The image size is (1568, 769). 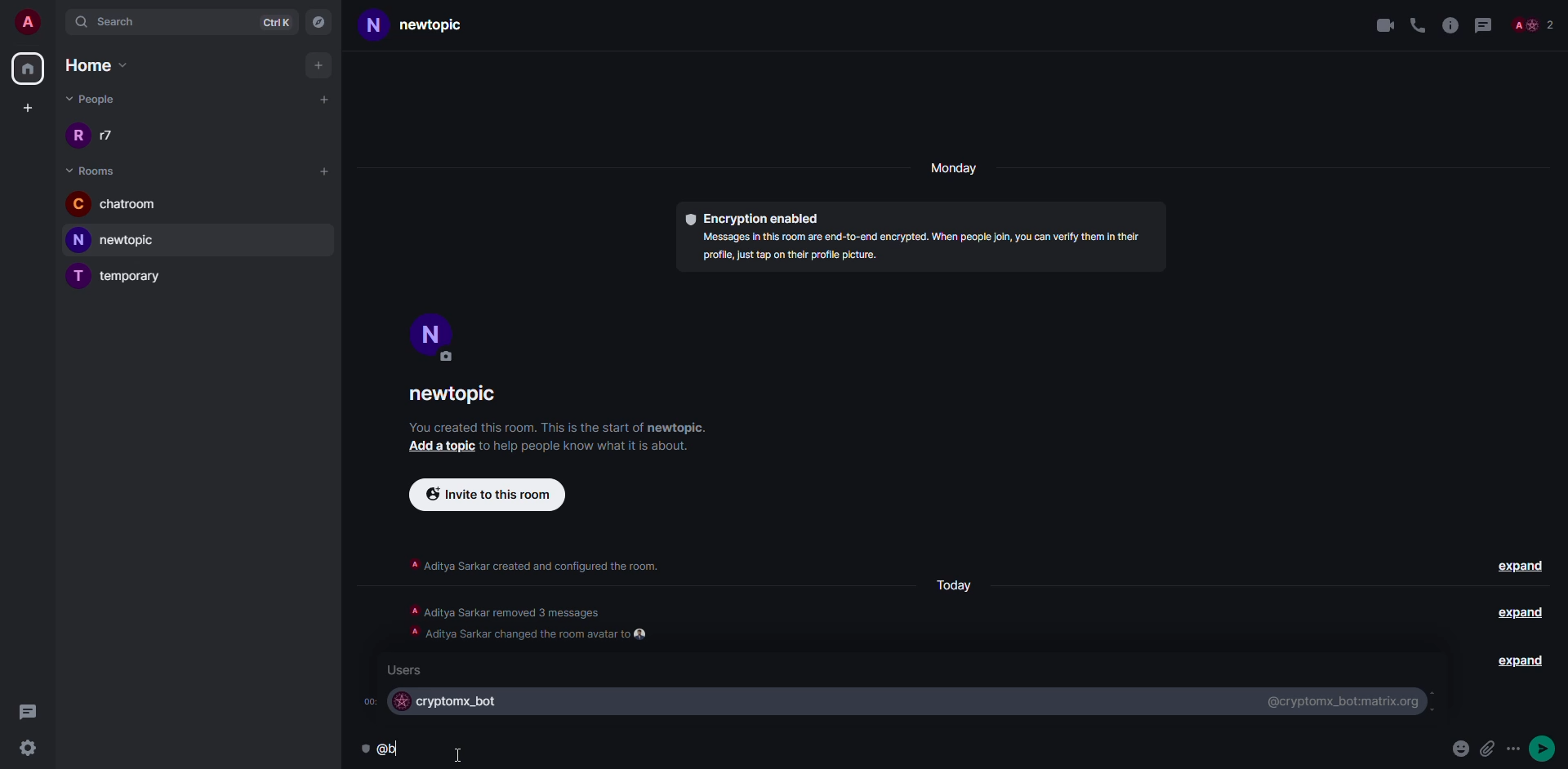 What do you see at coordinates (448, 703) in the screenshot?
I see `cryptomx_bot` at bounding box center [448, 703].